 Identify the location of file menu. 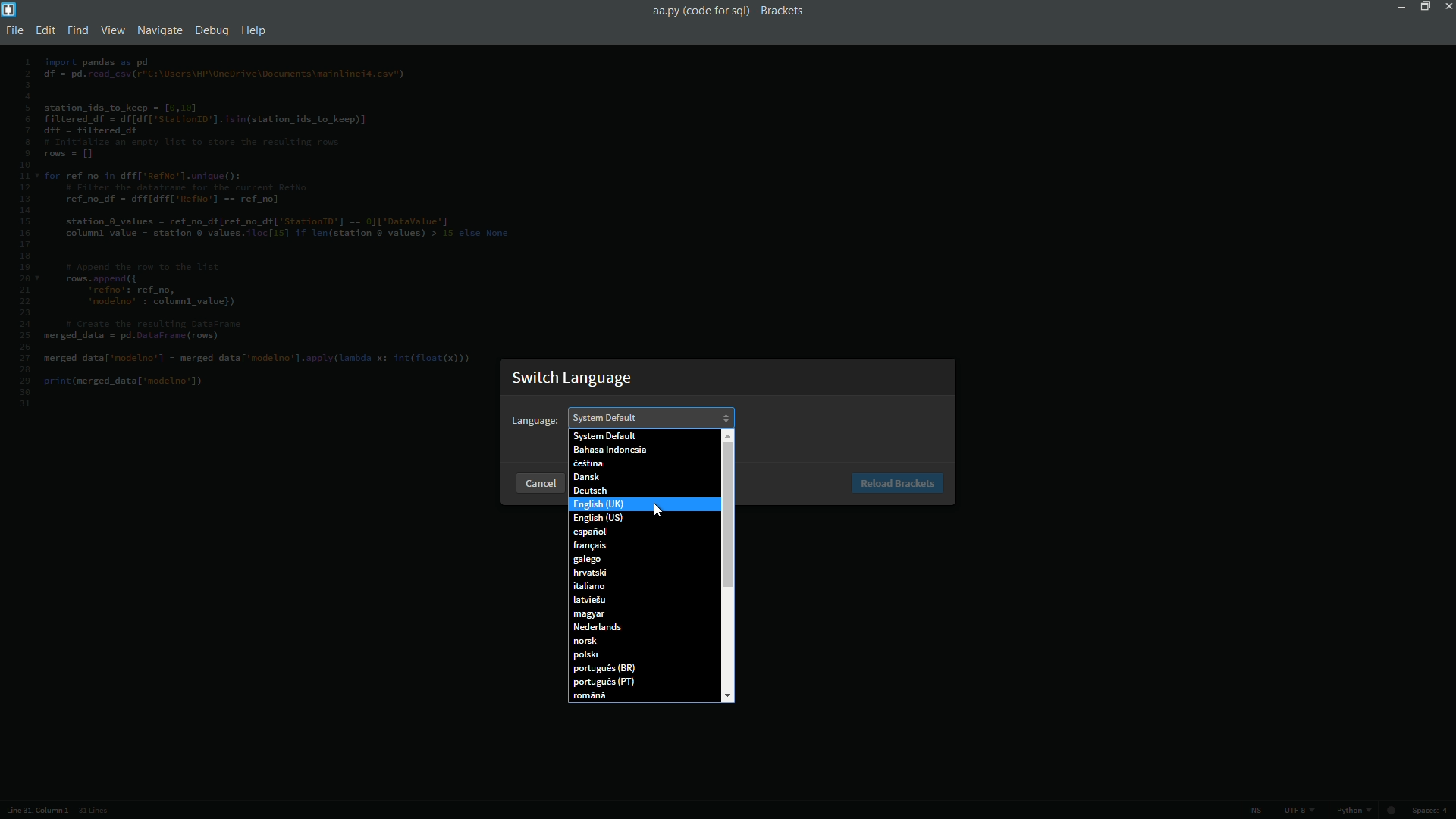
(17, 31).